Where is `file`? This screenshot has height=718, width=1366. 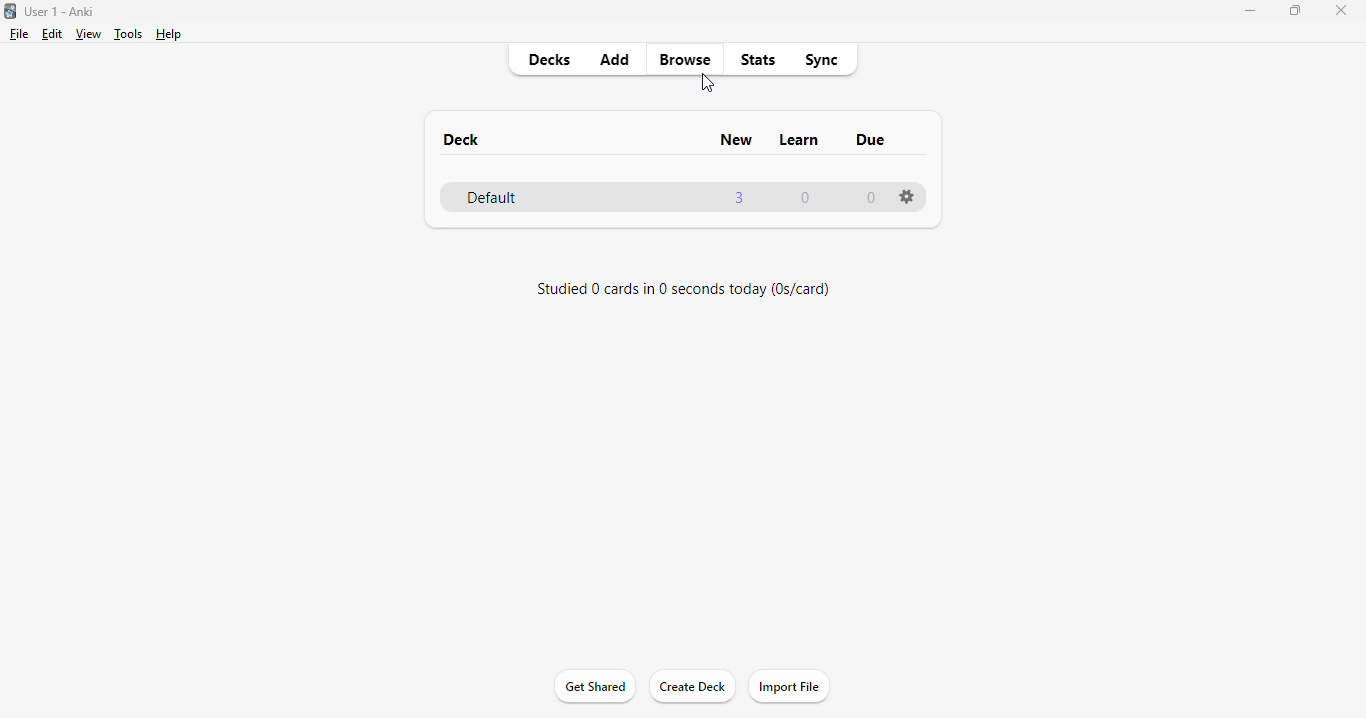 file is located at coordinates (19, 34).